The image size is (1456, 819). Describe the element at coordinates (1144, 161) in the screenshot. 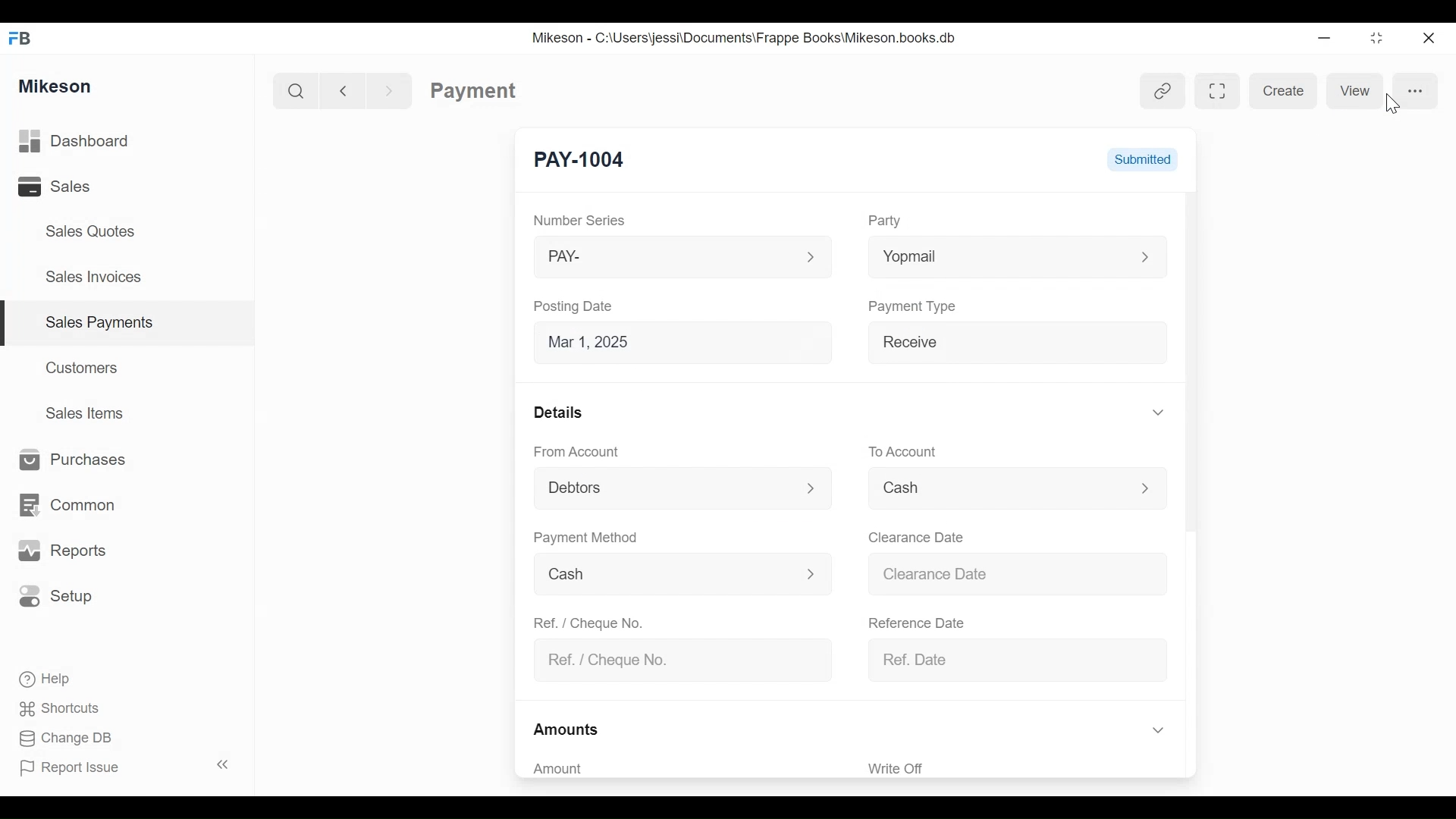

I see `Submitted` at that location.